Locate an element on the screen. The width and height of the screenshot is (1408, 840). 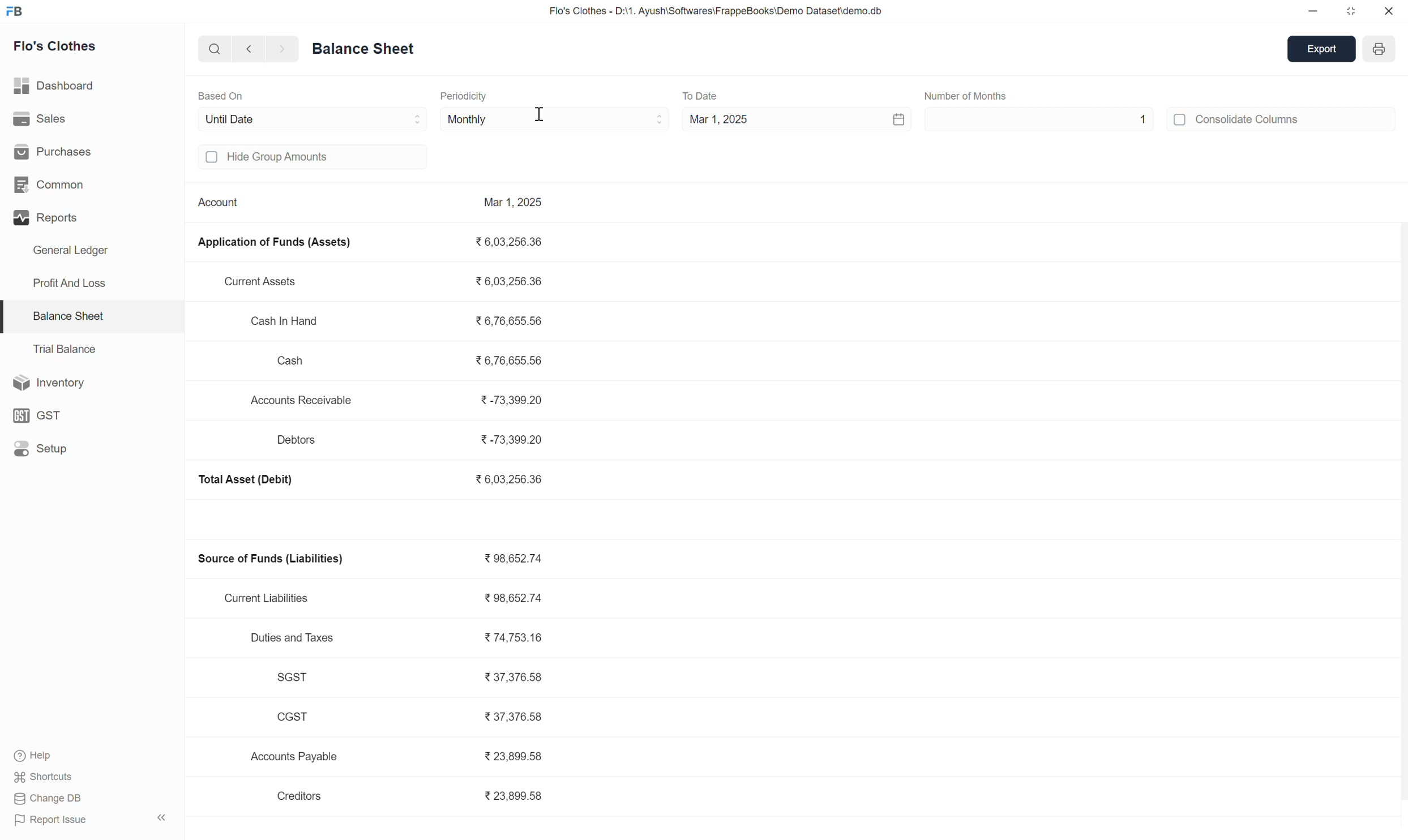
backward is located at coordinates (246, 49).